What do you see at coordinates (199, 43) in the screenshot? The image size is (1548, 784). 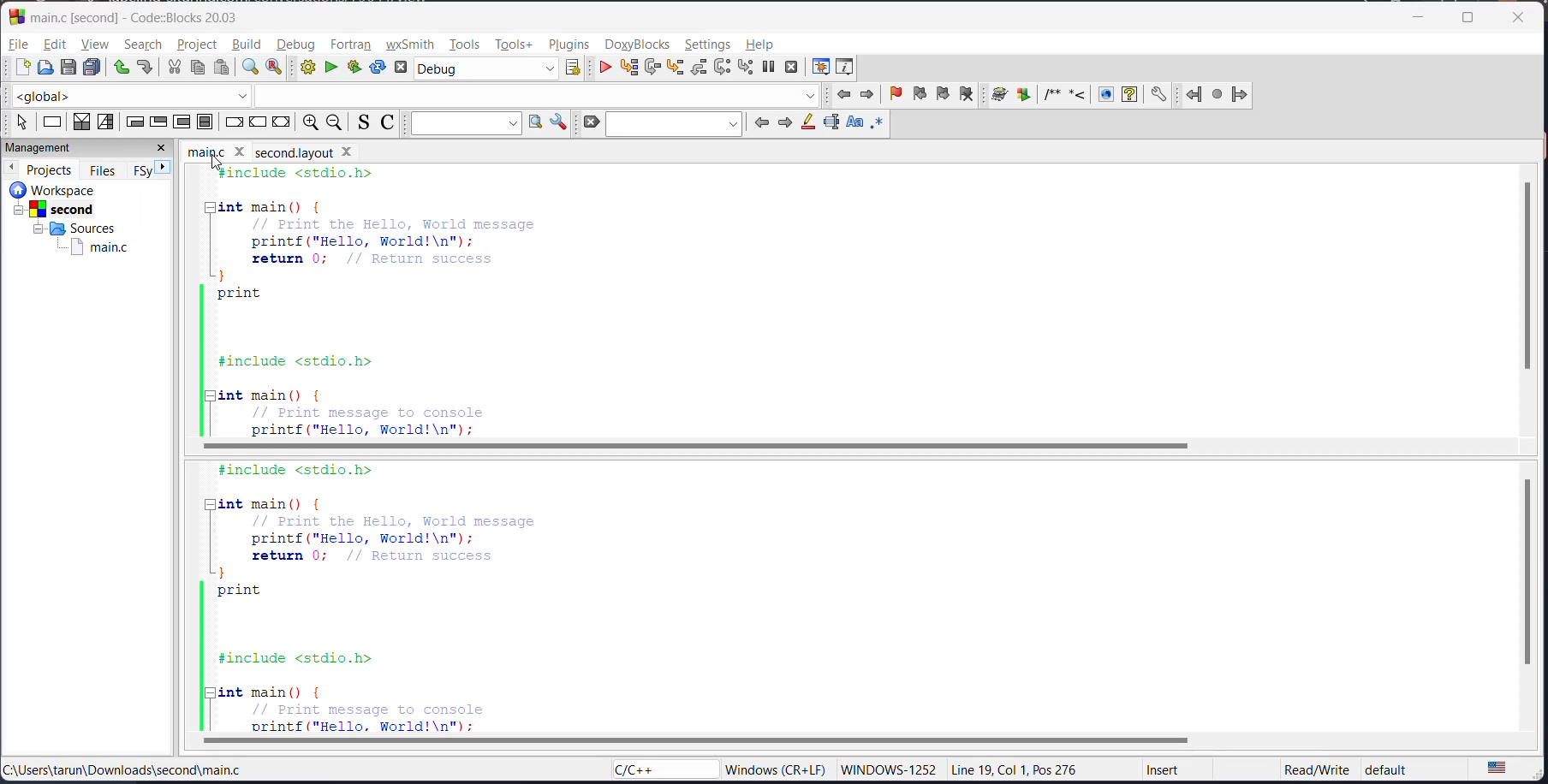 I see `project` at bounding box center [199, 43].